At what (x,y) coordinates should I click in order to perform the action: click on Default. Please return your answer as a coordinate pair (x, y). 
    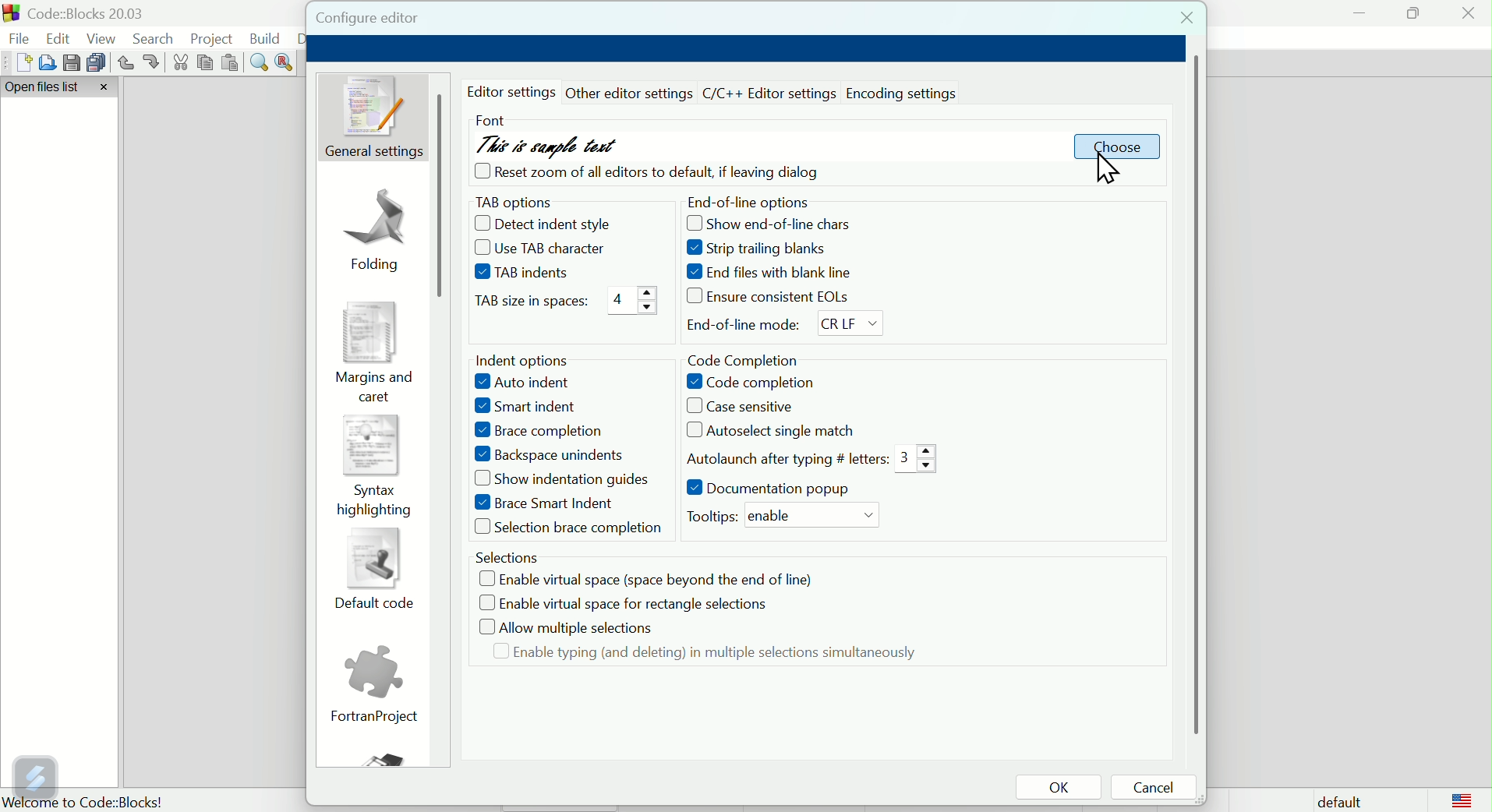
    Looking at the image, I should click on (1336, 800).